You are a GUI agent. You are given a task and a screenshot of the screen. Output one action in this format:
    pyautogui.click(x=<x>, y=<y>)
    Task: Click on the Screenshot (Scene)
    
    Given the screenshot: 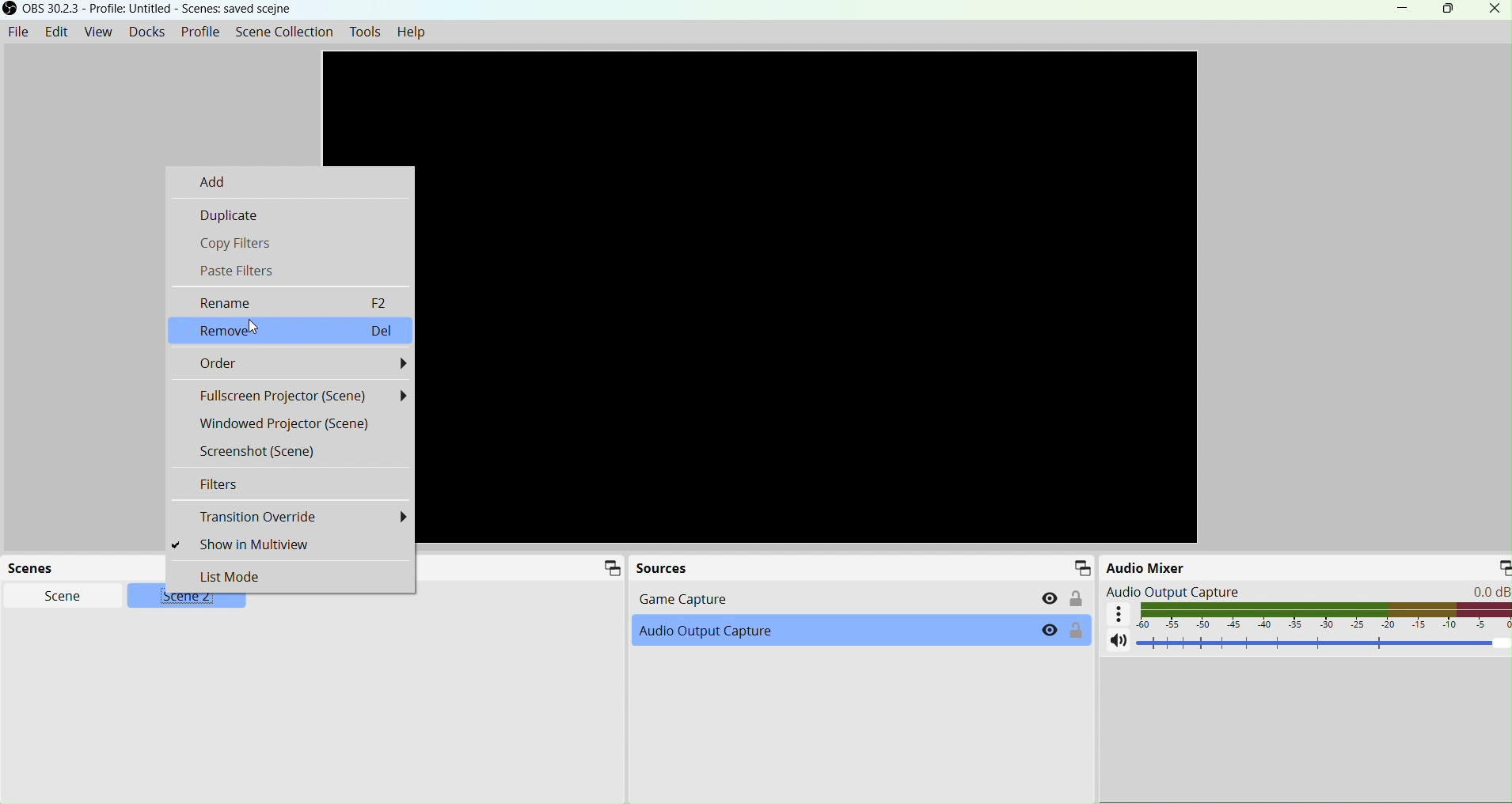 What is the action you would take?
    pyautogui.click(x=290, y=450)
    